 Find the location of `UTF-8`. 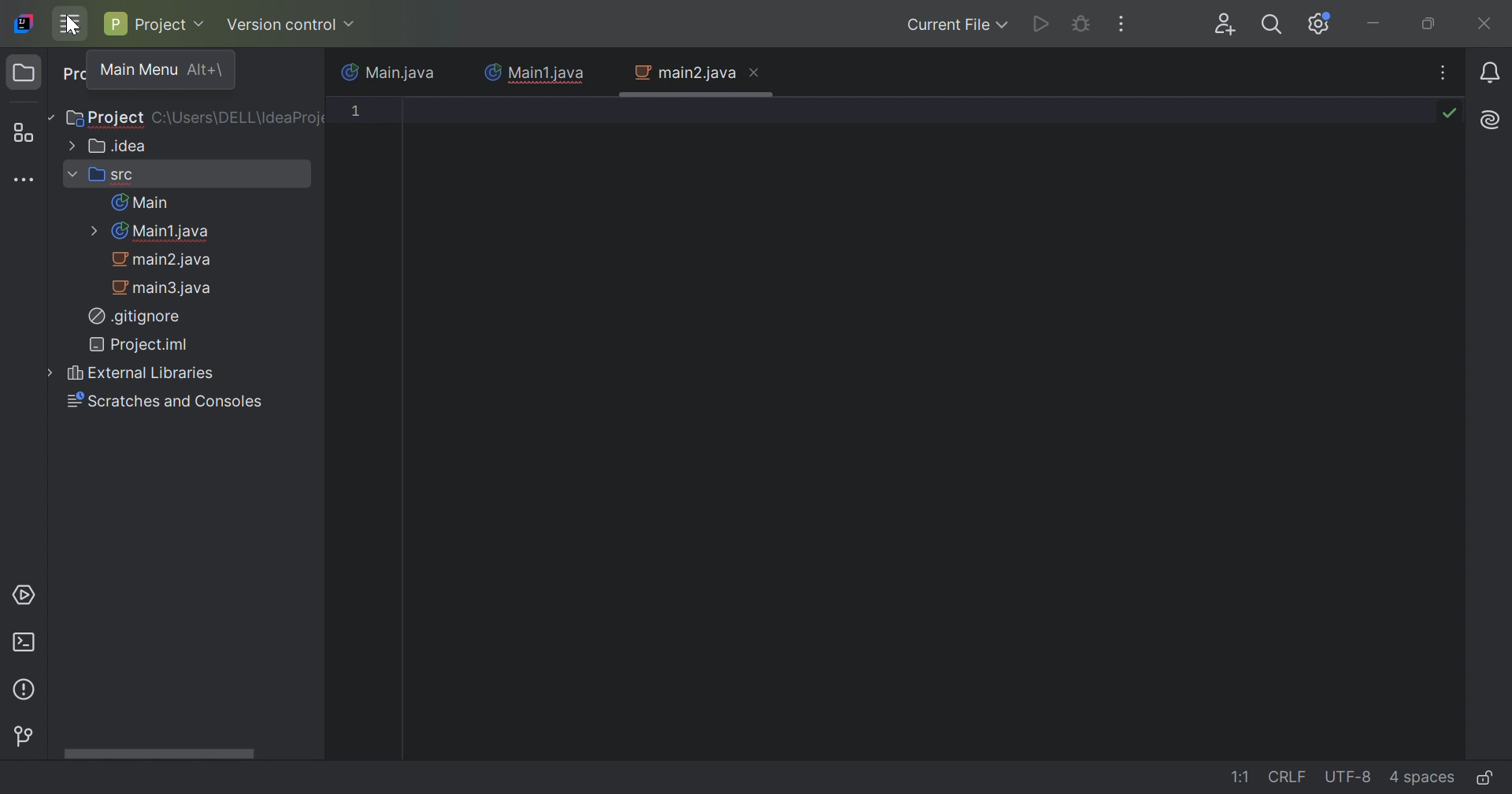

UTF-8 is located at coordinates (1351, 777).